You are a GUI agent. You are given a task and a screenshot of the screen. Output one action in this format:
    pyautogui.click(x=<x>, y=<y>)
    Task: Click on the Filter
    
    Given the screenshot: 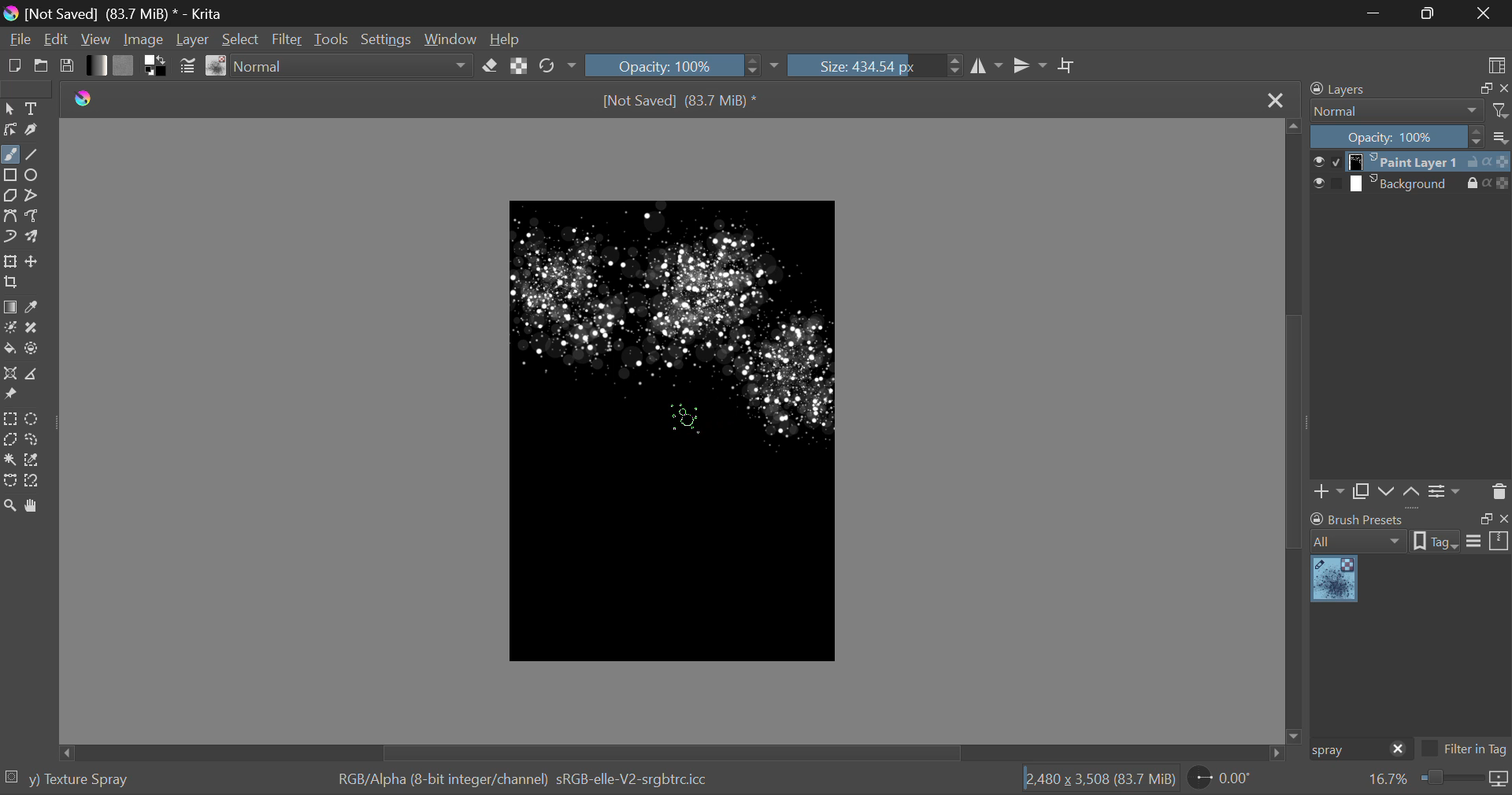 What is the action you would take?
    pyautogui.click(x=287, y=39)
    